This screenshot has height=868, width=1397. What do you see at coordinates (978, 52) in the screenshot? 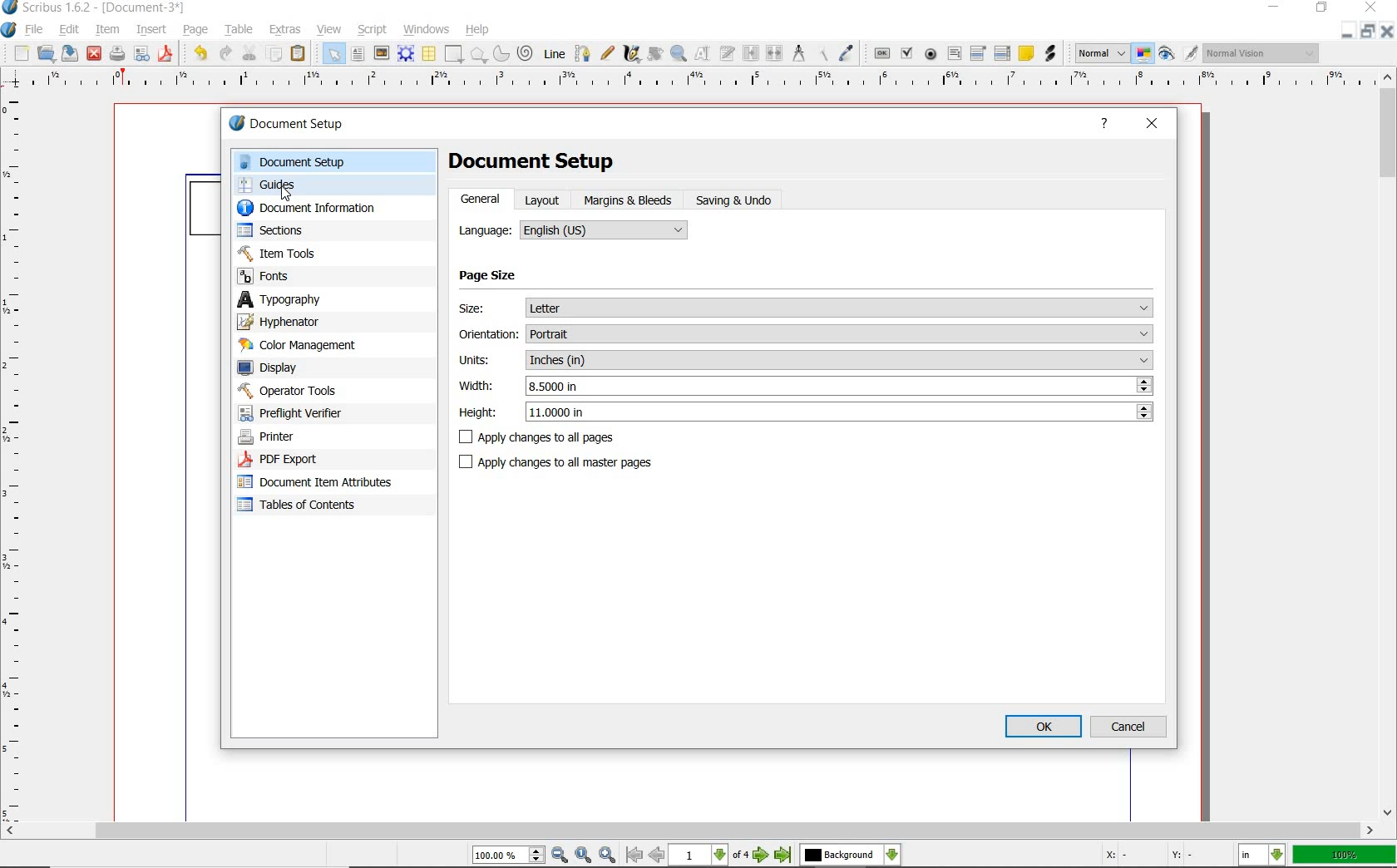
I see `pdf combo box` at bounding box center [978, 52].